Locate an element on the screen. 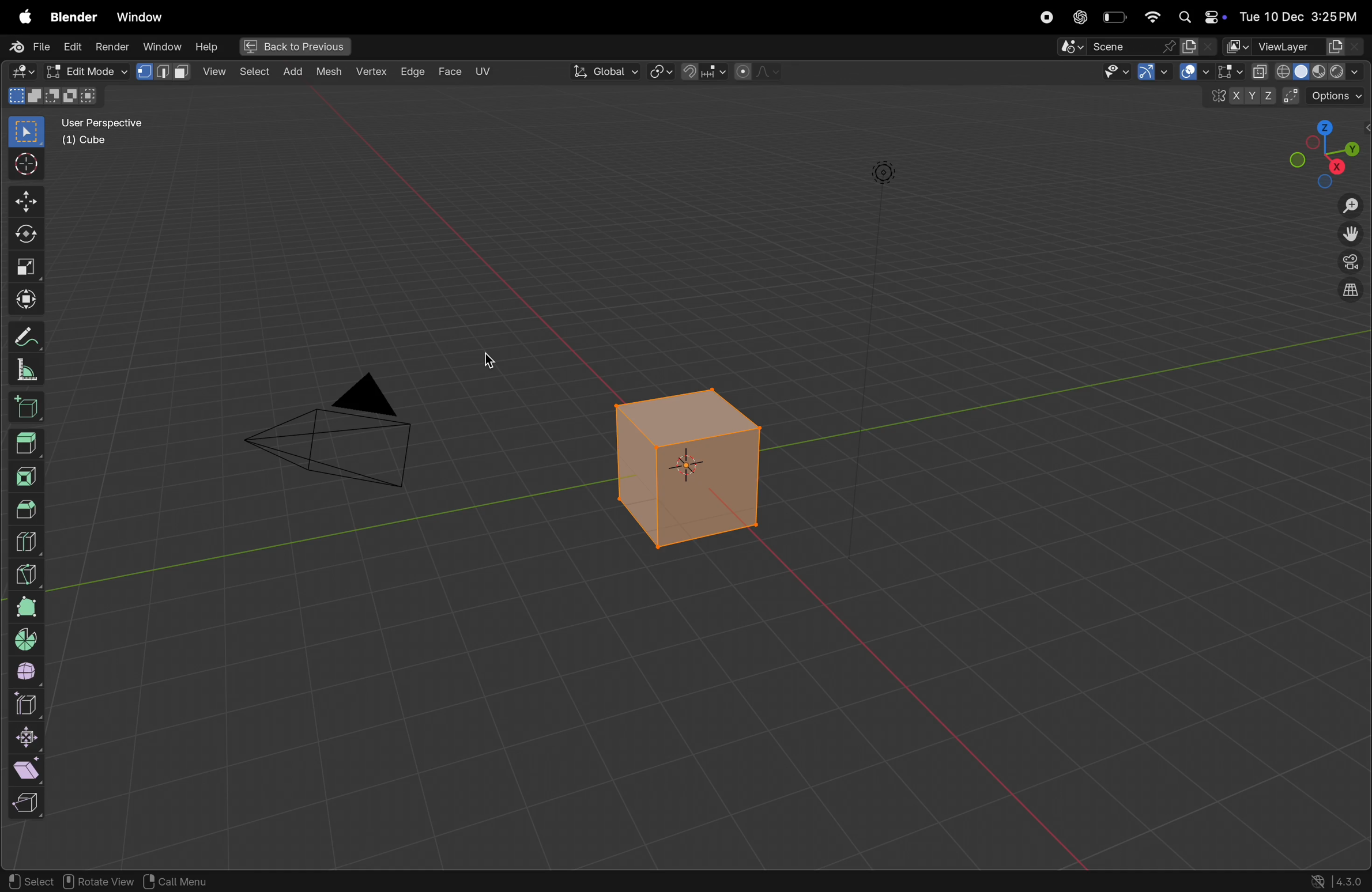 The width and height of the screenshot is (1372, 892). apple widgets is located at coordinates (1201, 16).